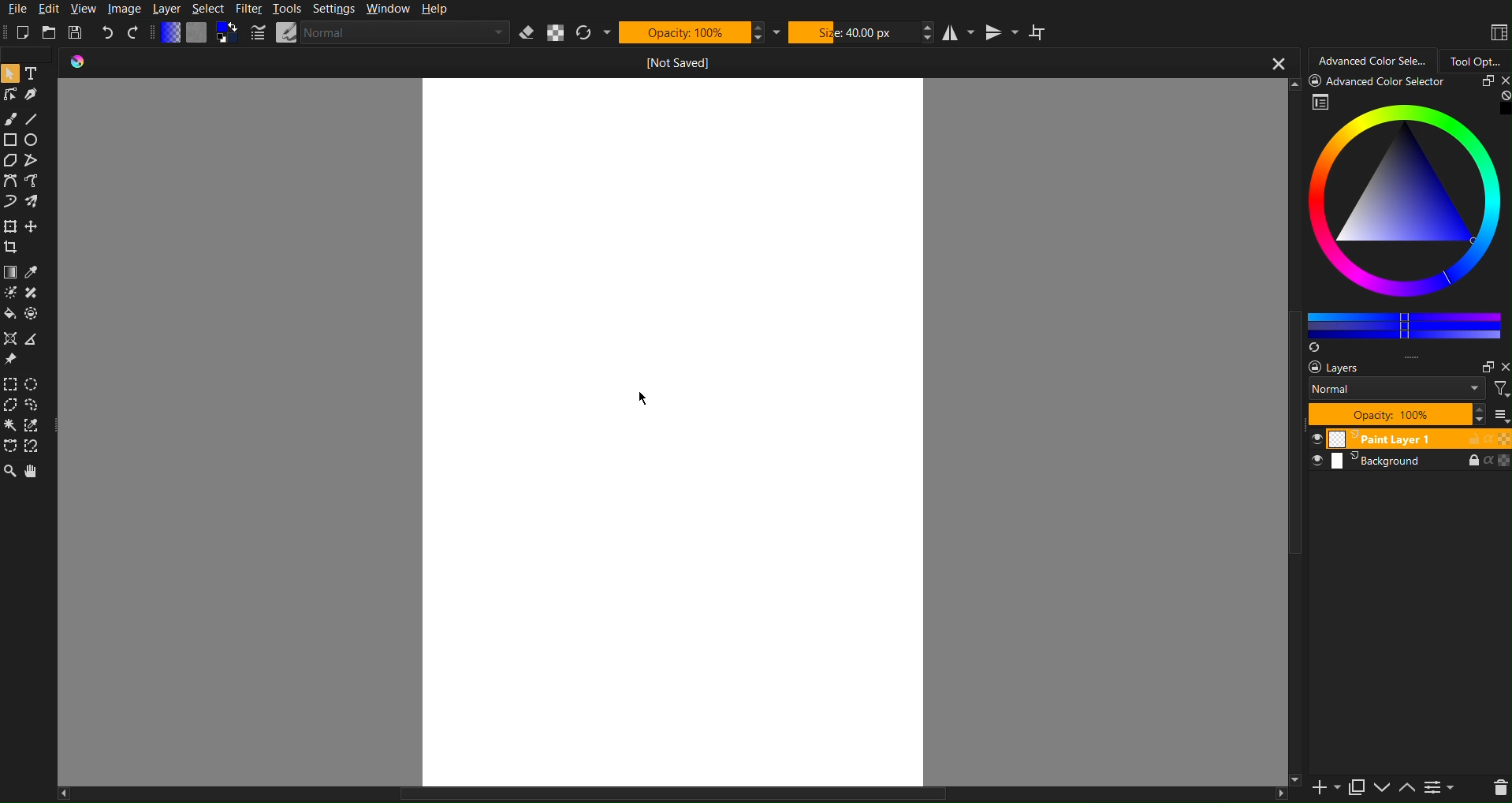 The height and width of the screenshot is (803, 1512). I want to click on Advanced Color Selector, so click(1372, 58).